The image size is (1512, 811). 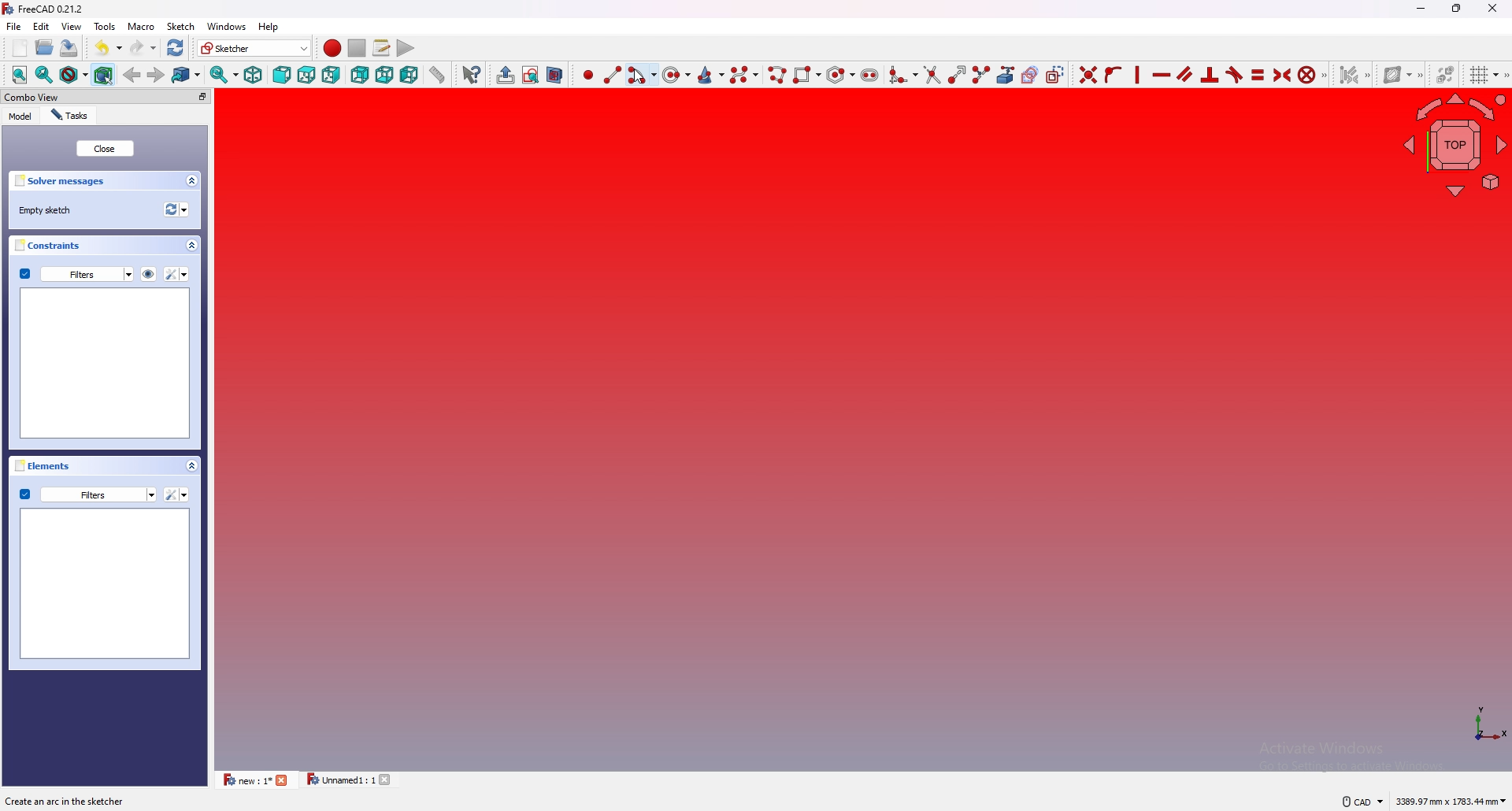 What do you see at coordinates (1485, 75) in the screenshot?
I see `toggle grid` at bounding box center [1485, 75].